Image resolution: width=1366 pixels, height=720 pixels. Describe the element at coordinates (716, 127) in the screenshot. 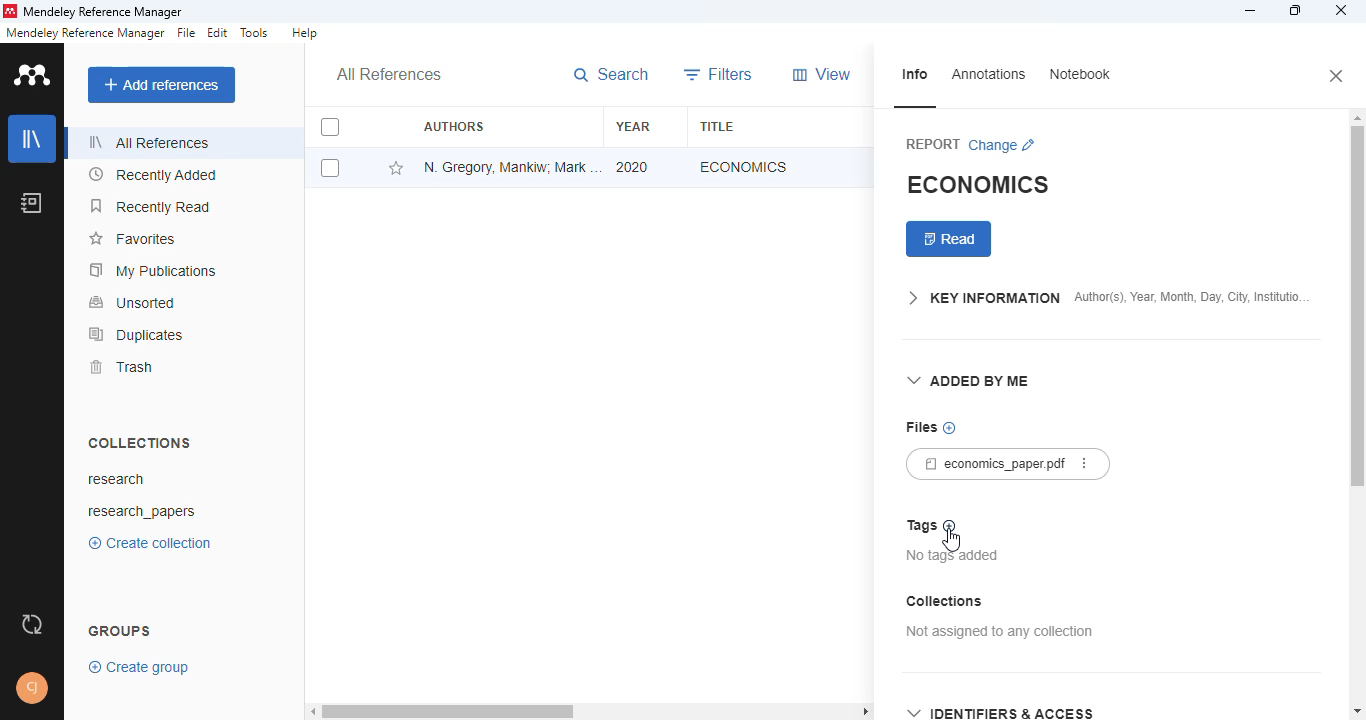

I see `title` at that location.